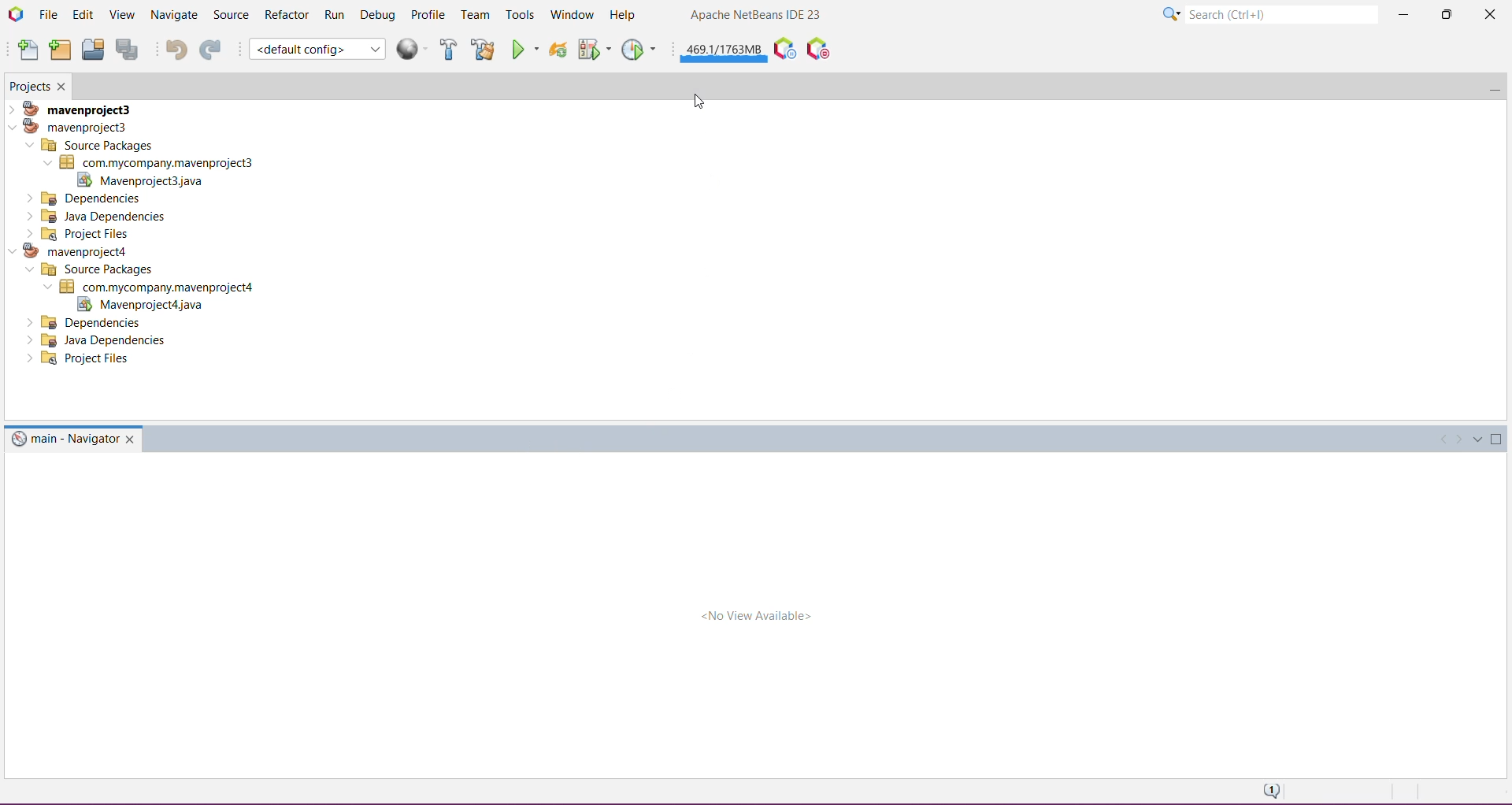 This screenshot has height=805, width=1512. Describe the element at coordinates (148, 162) in the screenshot. I see `com.mycompany.mavenproject3` at that location.